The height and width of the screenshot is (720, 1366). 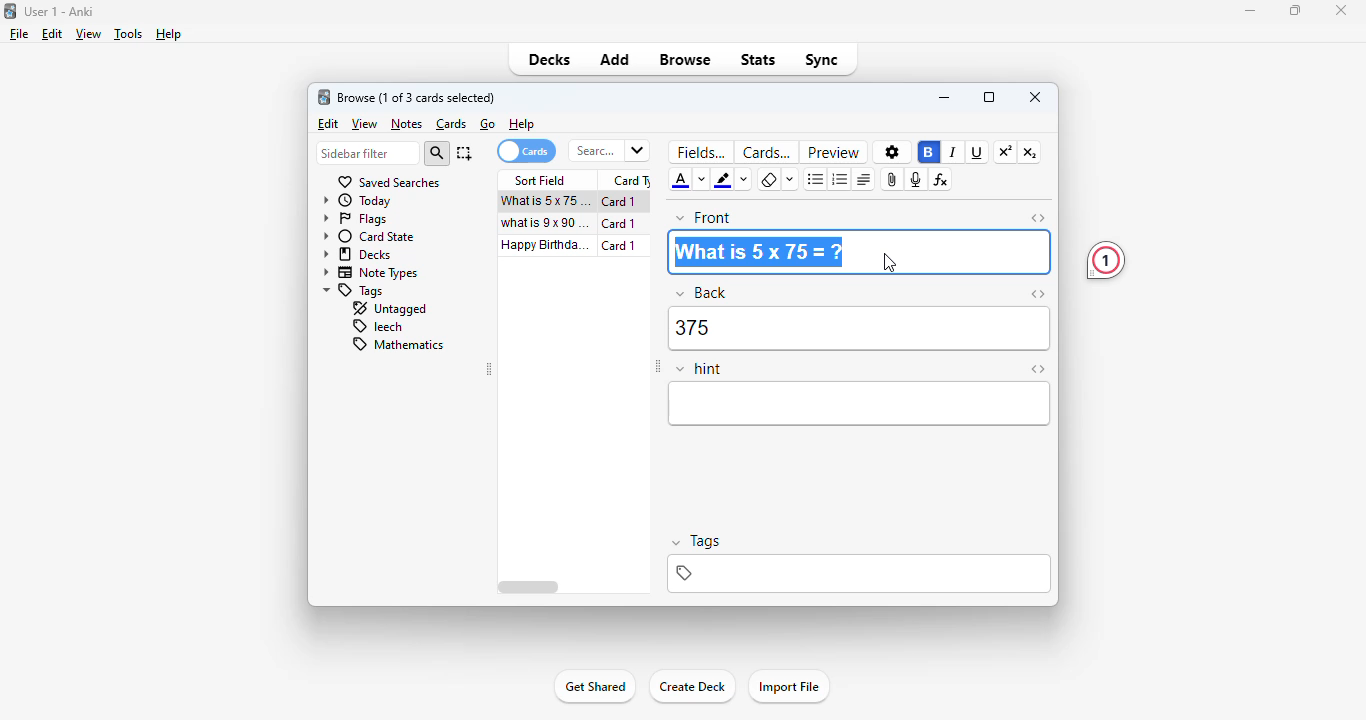 What do you see at coordinates (417, 97) in the screenshot?
I see `browse (1 of 3 cards selected)` at bounding box center [417, 97].